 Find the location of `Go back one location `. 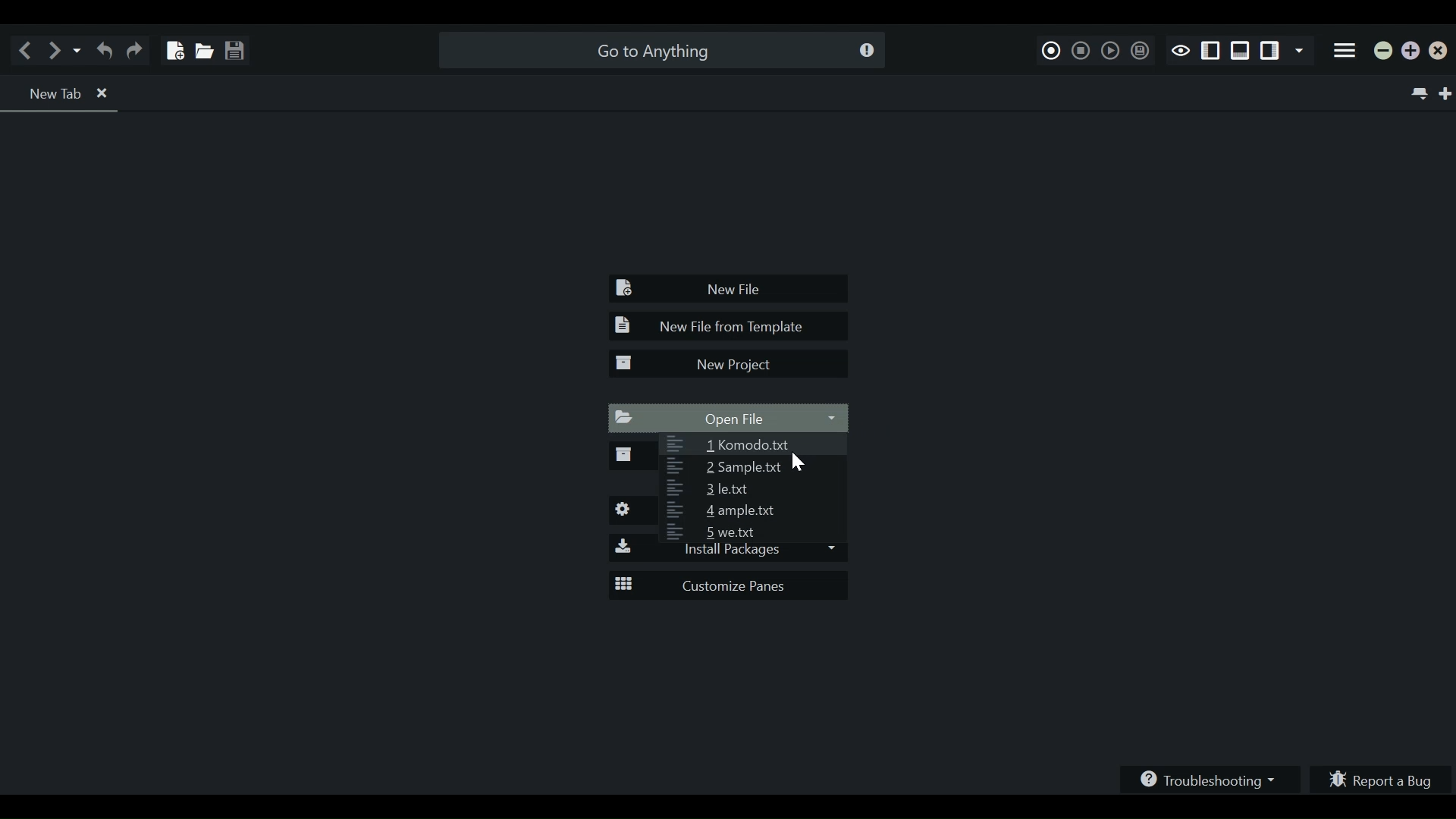

Go back one location  is located at coordinates (29, 50).